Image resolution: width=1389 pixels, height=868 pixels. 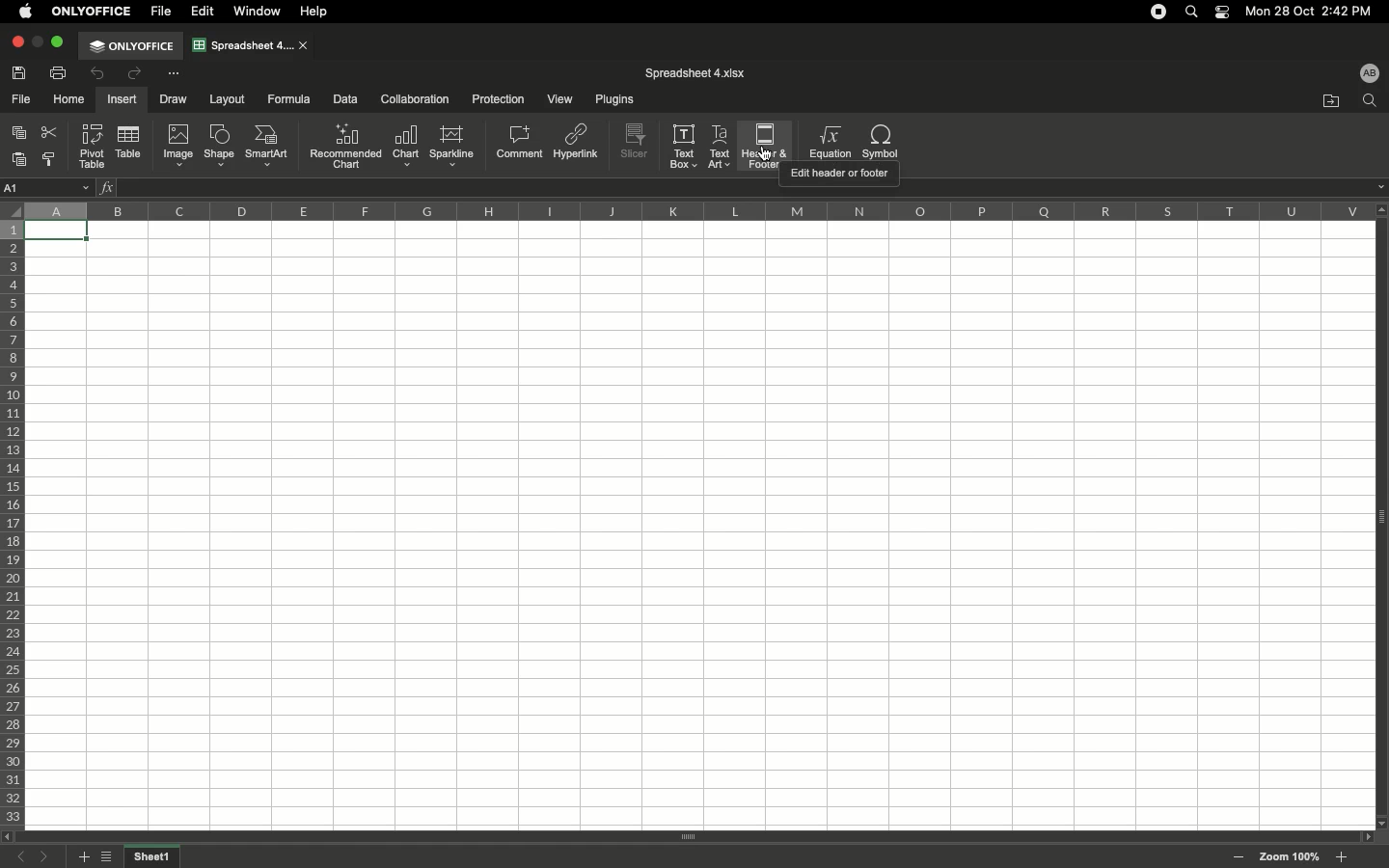 What do you see at coordinates (494, 98) in the screenshot?
I see `Protection` at bounding box center [494, 98].